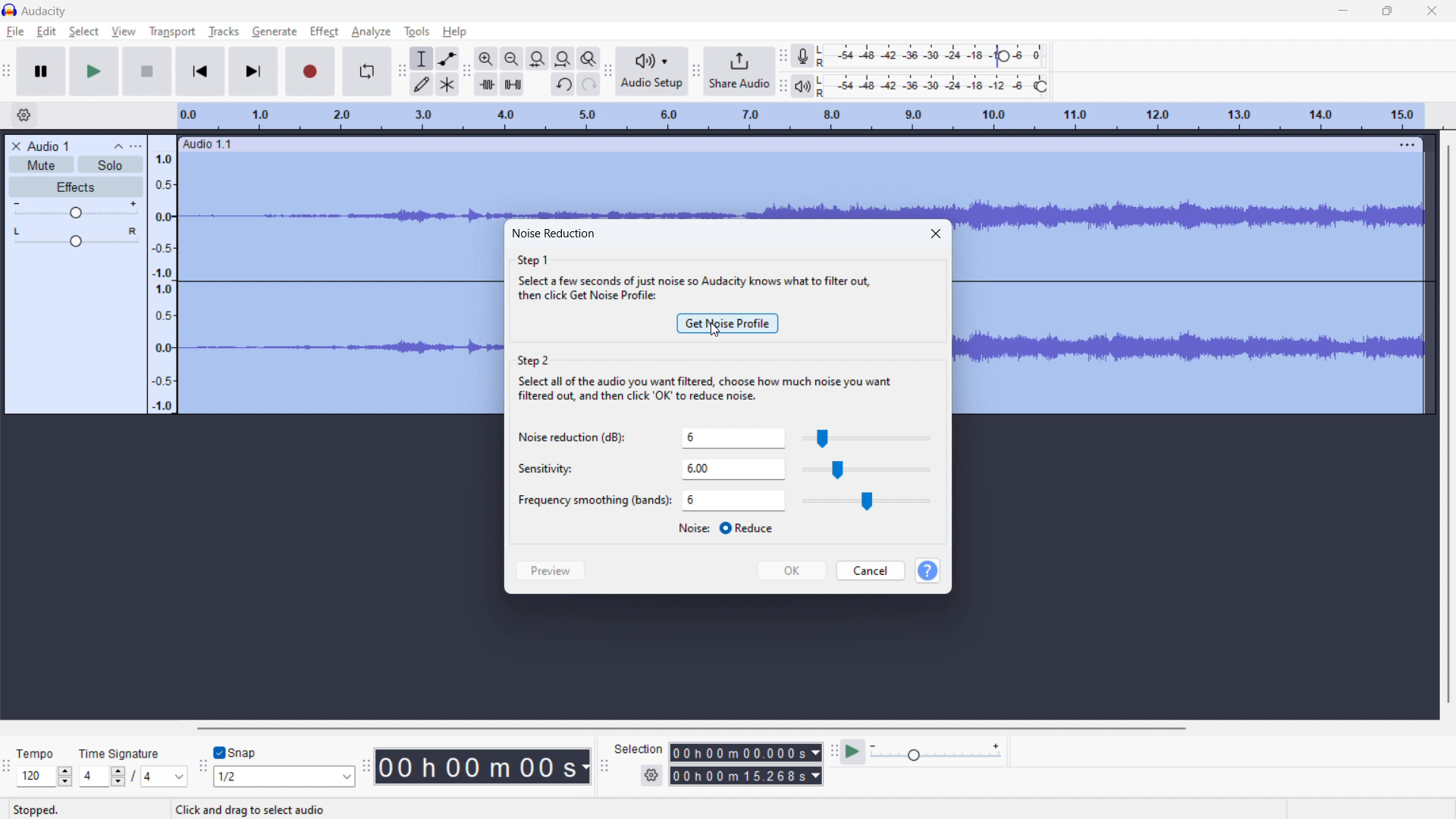 This screenshot has width=1456, height=819. What do you see at coordinates (1405, 145) in the screenshot?
I see `menu` at bounding box center [1405, 145].